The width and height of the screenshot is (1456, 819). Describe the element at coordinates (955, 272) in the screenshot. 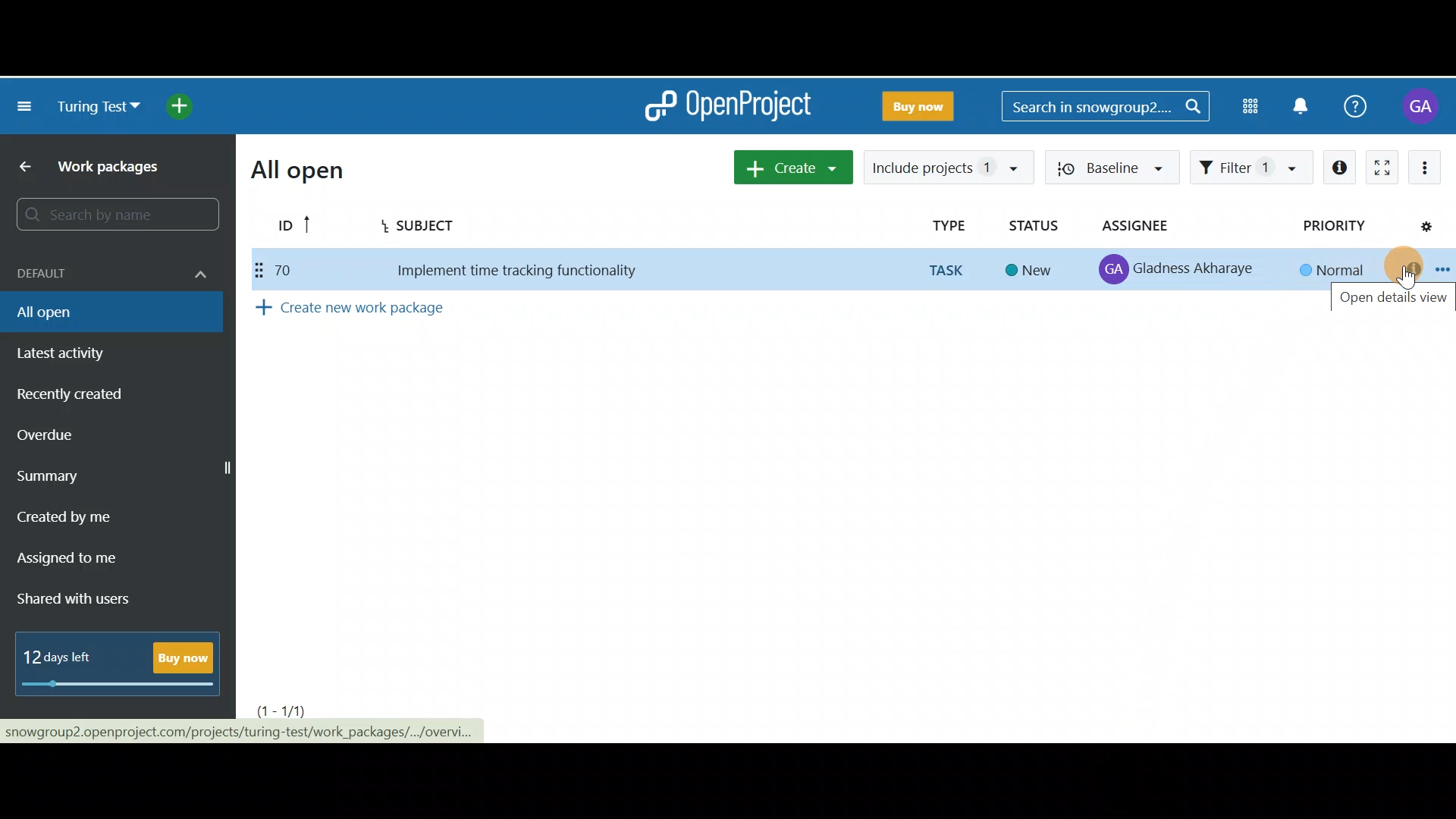

I see `TASK` at that location.